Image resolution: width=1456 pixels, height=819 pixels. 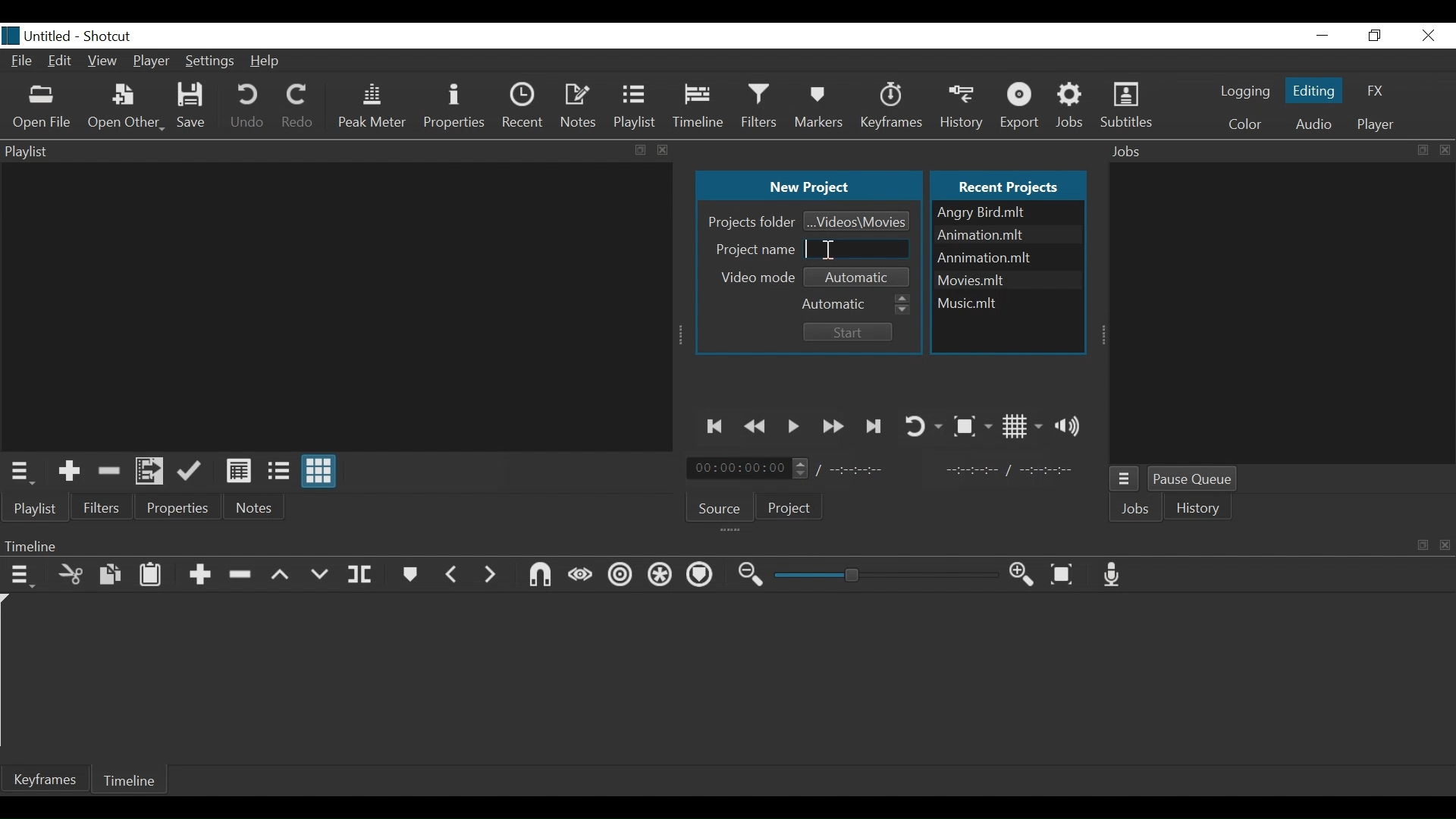 What do you see at coordinates (794, 427) in the screenshot?
I see `Toggle play or pause (space)` at bounding box center [794, 427].